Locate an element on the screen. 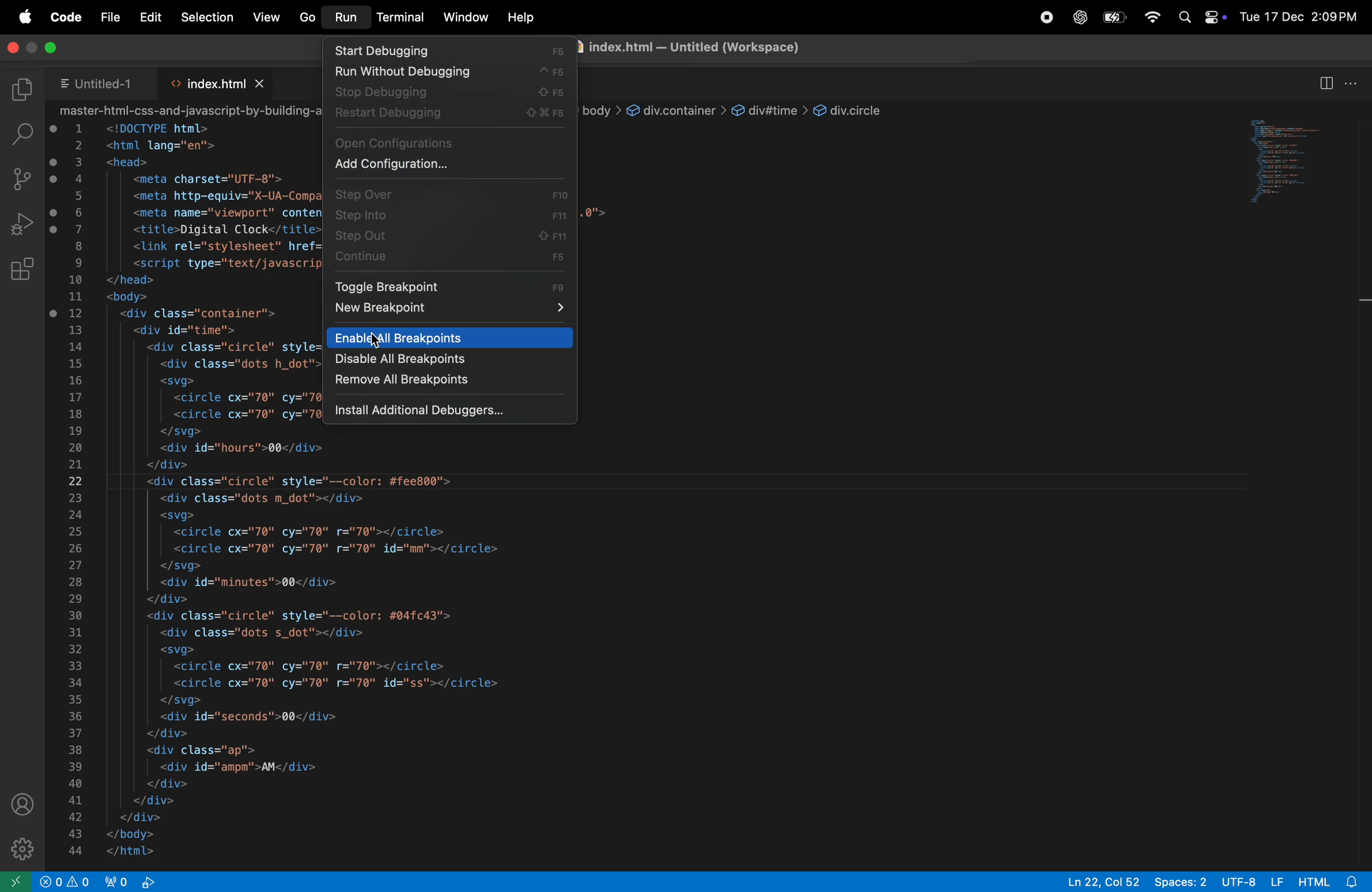  explore is located at coordinates (21, 90).